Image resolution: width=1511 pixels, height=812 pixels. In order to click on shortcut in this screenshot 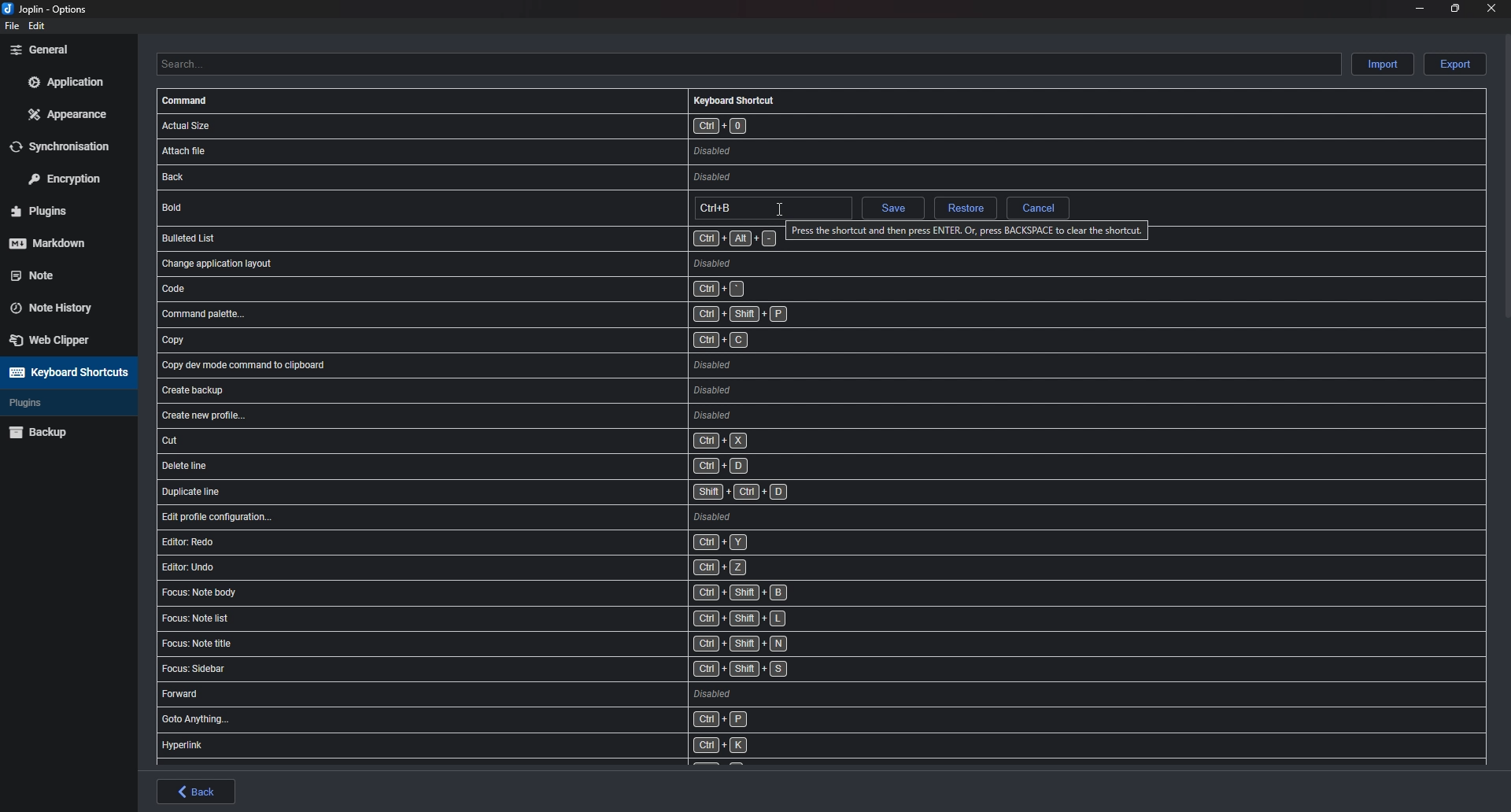, I will do `click(521, 721)`.